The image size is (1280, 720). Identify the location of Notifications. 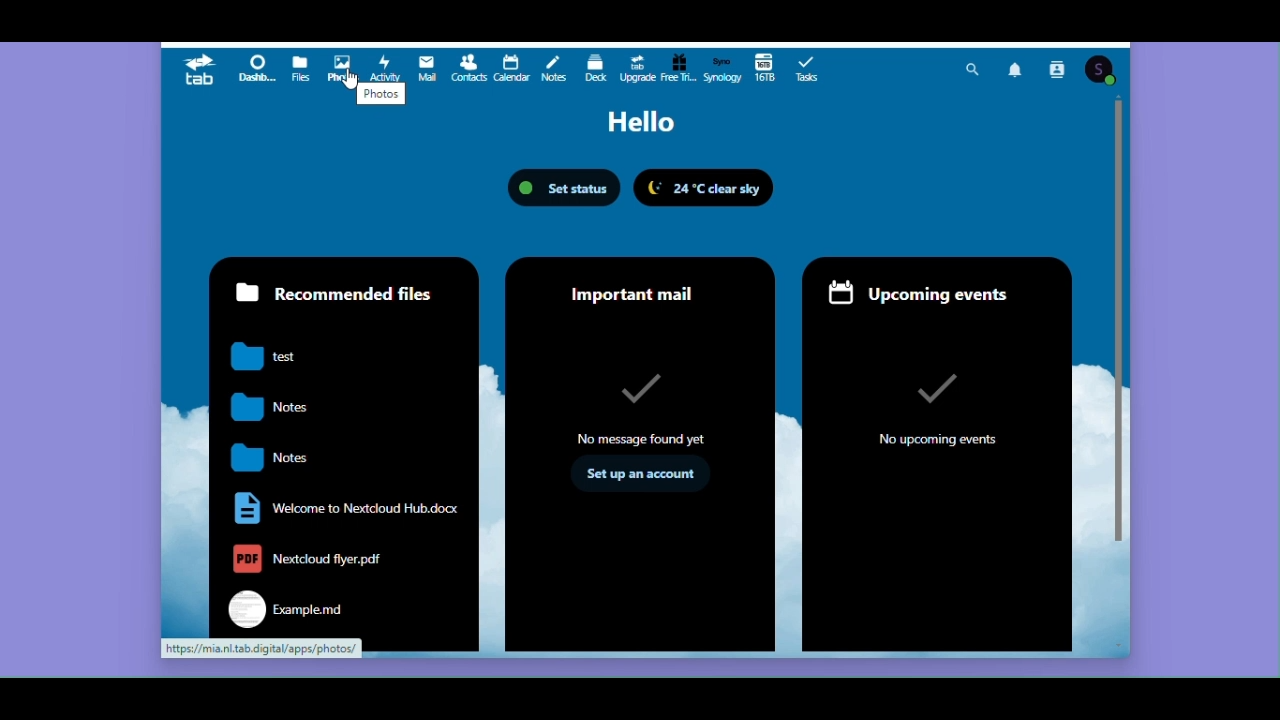
(1018, 71).